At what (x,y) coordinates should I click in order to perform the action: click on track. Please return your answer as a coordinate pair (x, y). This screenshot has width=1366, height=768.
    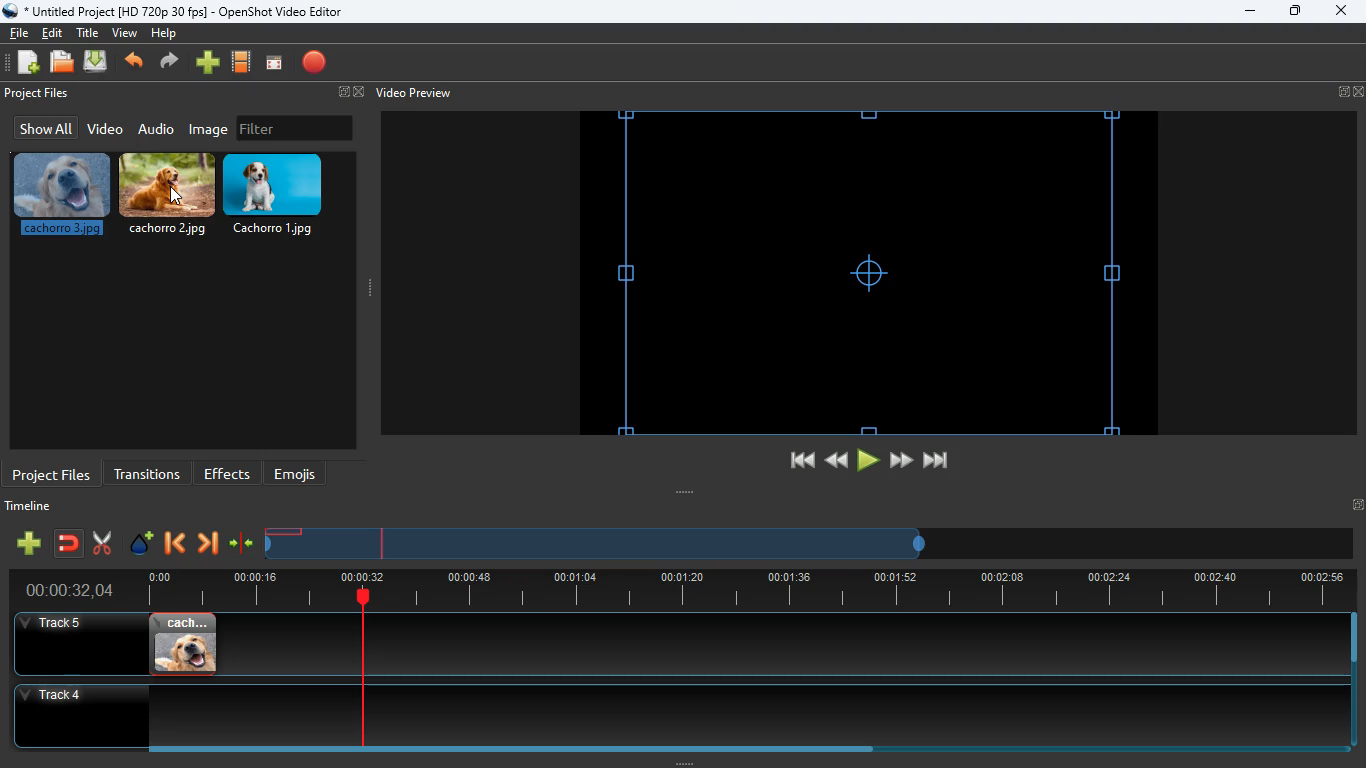
    Looking at the image, I should click on (759, 644).